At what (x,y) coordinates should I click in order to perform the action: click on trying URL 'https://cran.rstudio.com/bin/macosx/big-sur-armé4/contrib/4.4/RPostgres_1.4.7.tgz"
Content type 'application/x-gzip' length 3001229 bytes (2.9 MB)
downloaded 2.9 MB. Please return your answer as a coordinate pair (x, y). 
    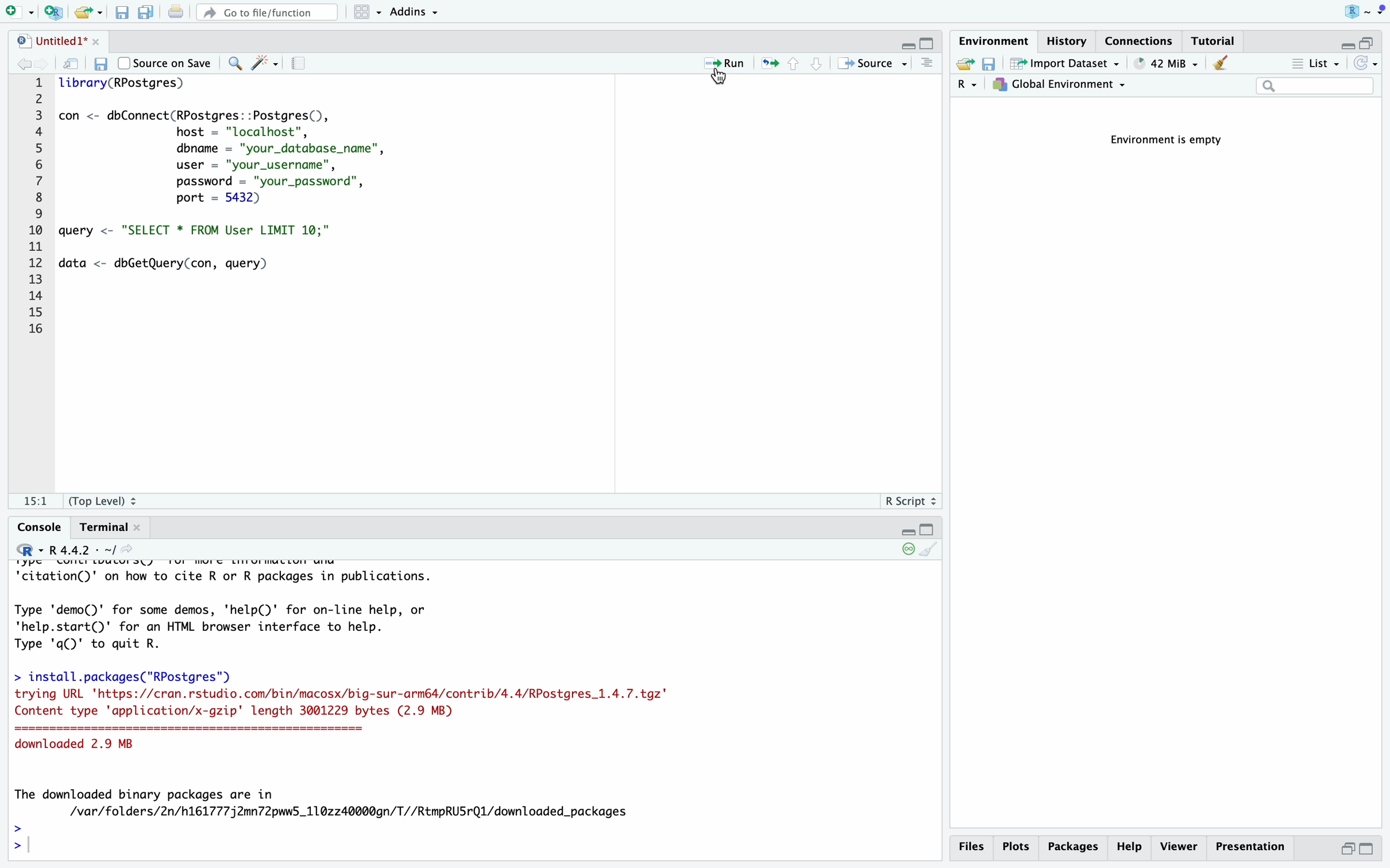
    Looking at the image, I should click on (353, 703).